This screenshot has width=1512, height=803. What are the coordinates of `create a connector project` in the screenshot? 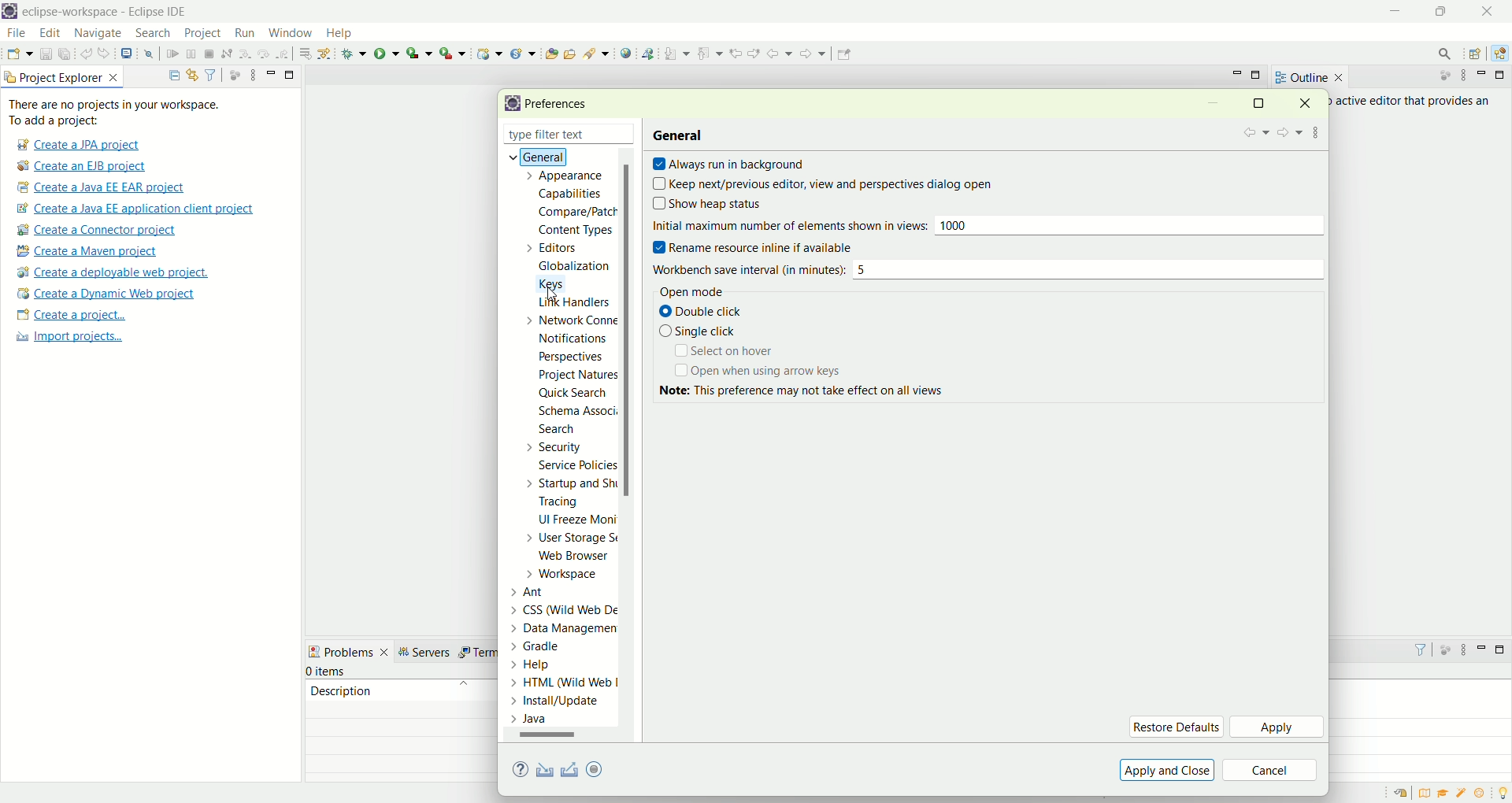 It's located at (94, 231).